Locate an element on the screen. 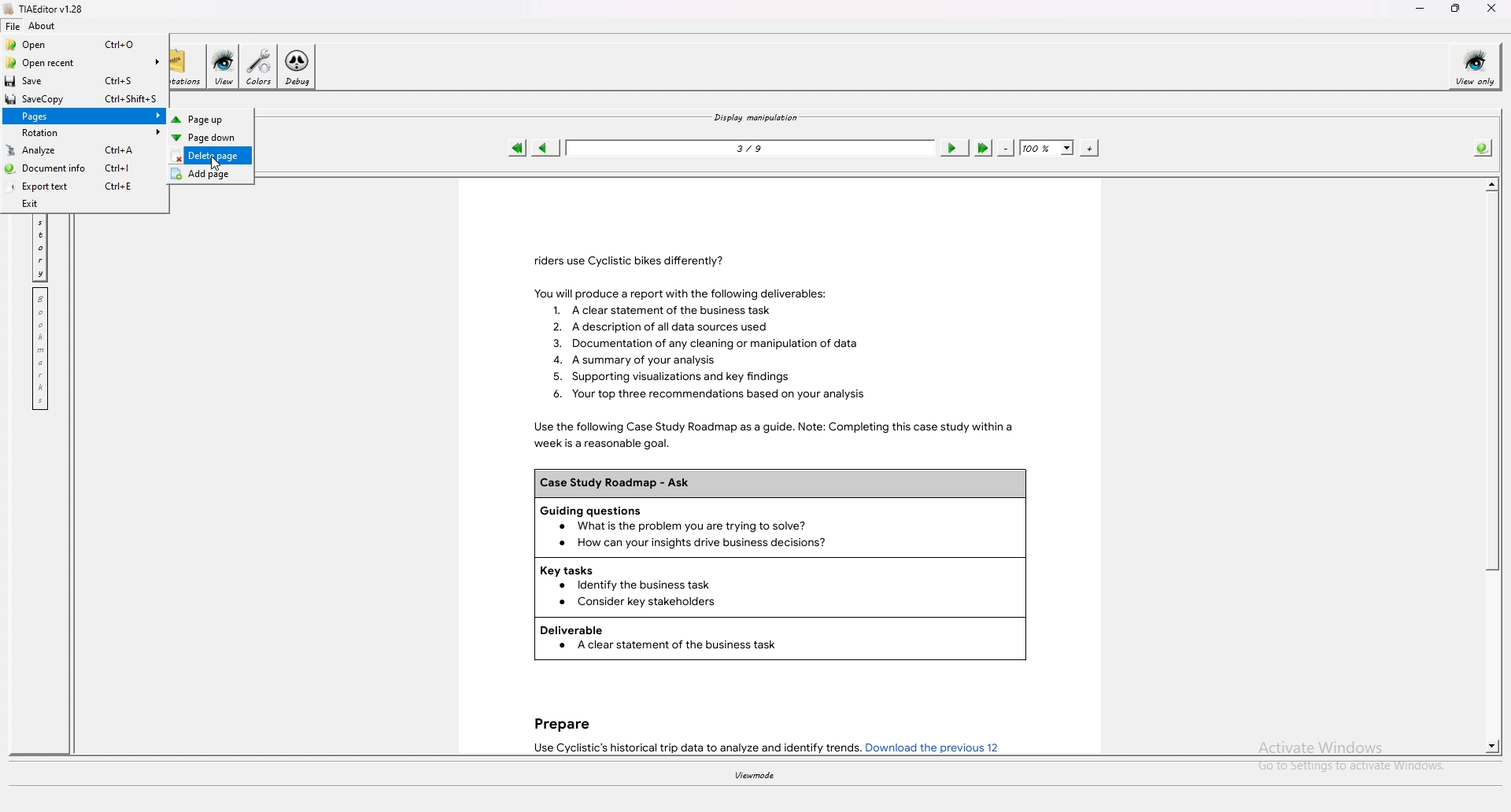 This screenshot has width=1511, height=812. Export text Ctrl+E is located at coordinates (74, 188).